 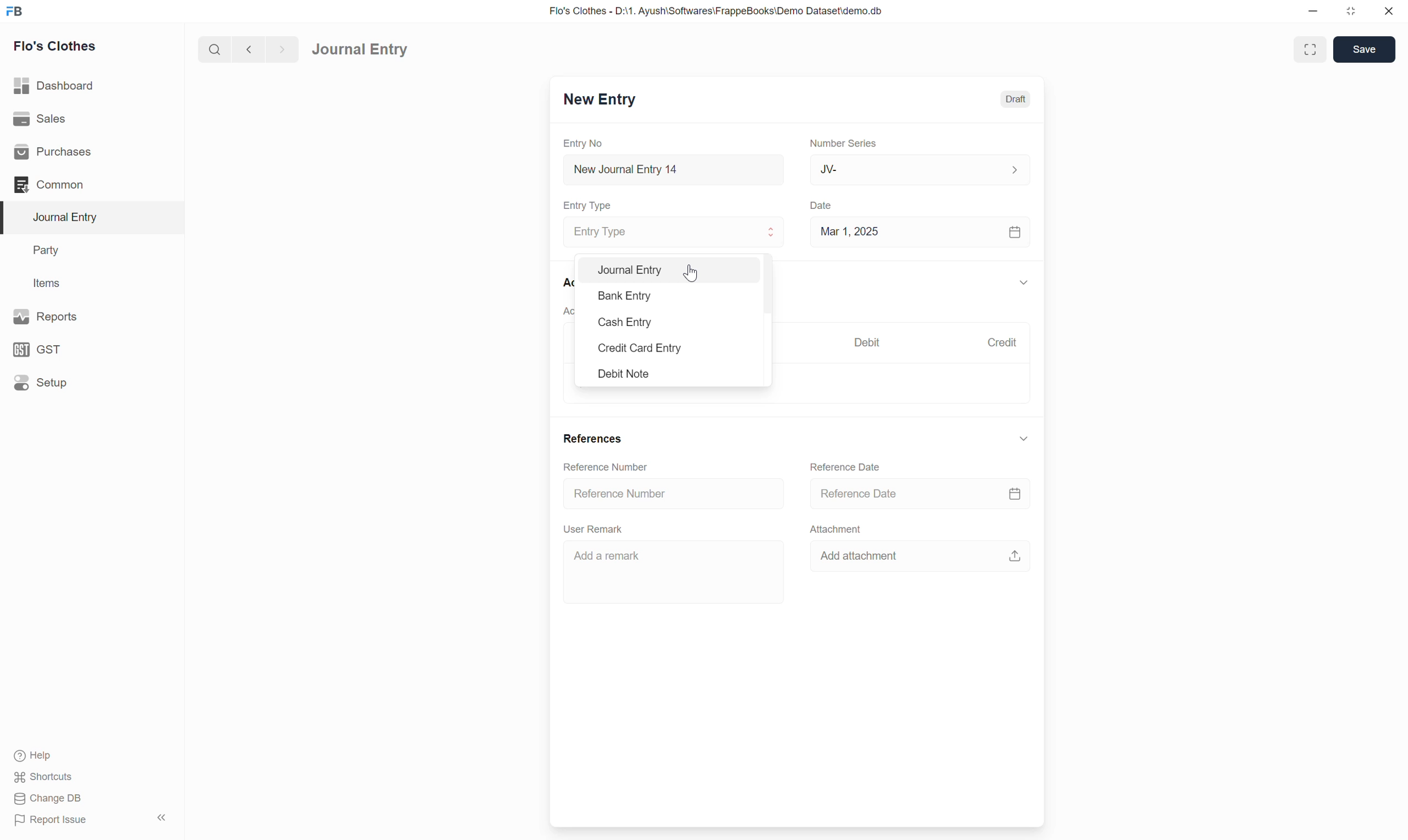 I want to click on Add attachment, so click(x=868, y=556).